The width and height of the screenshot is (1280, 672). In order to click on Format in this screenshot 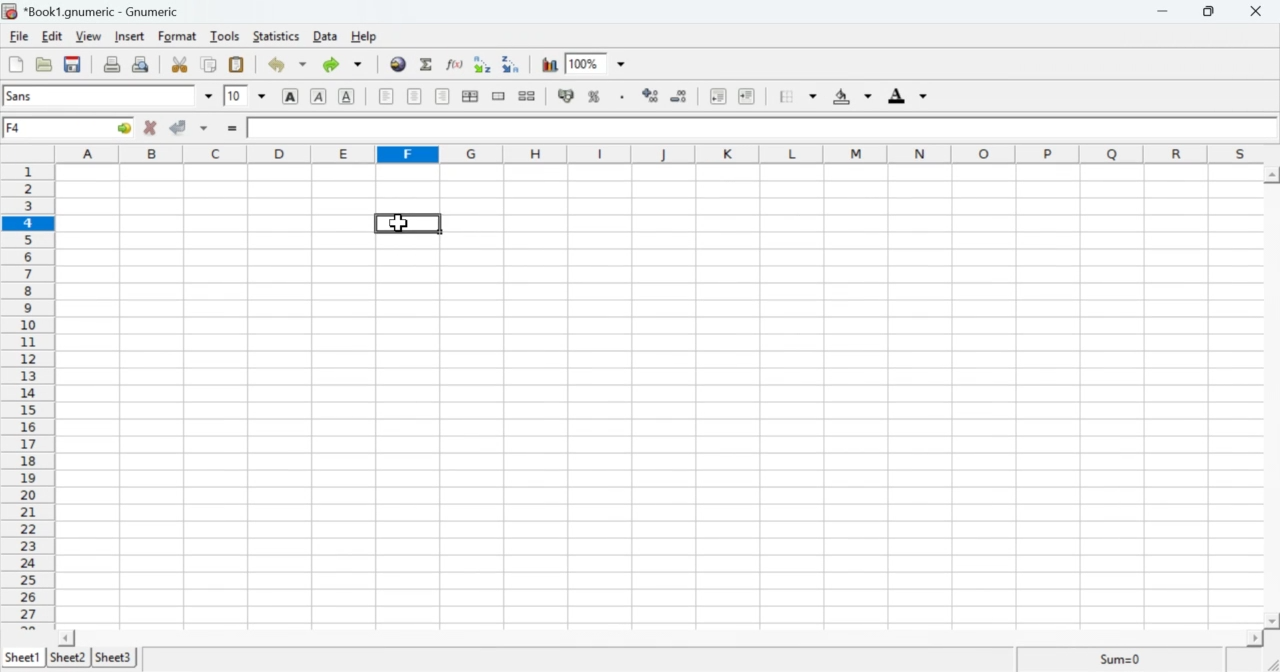, I will do `click(177, 36)`.